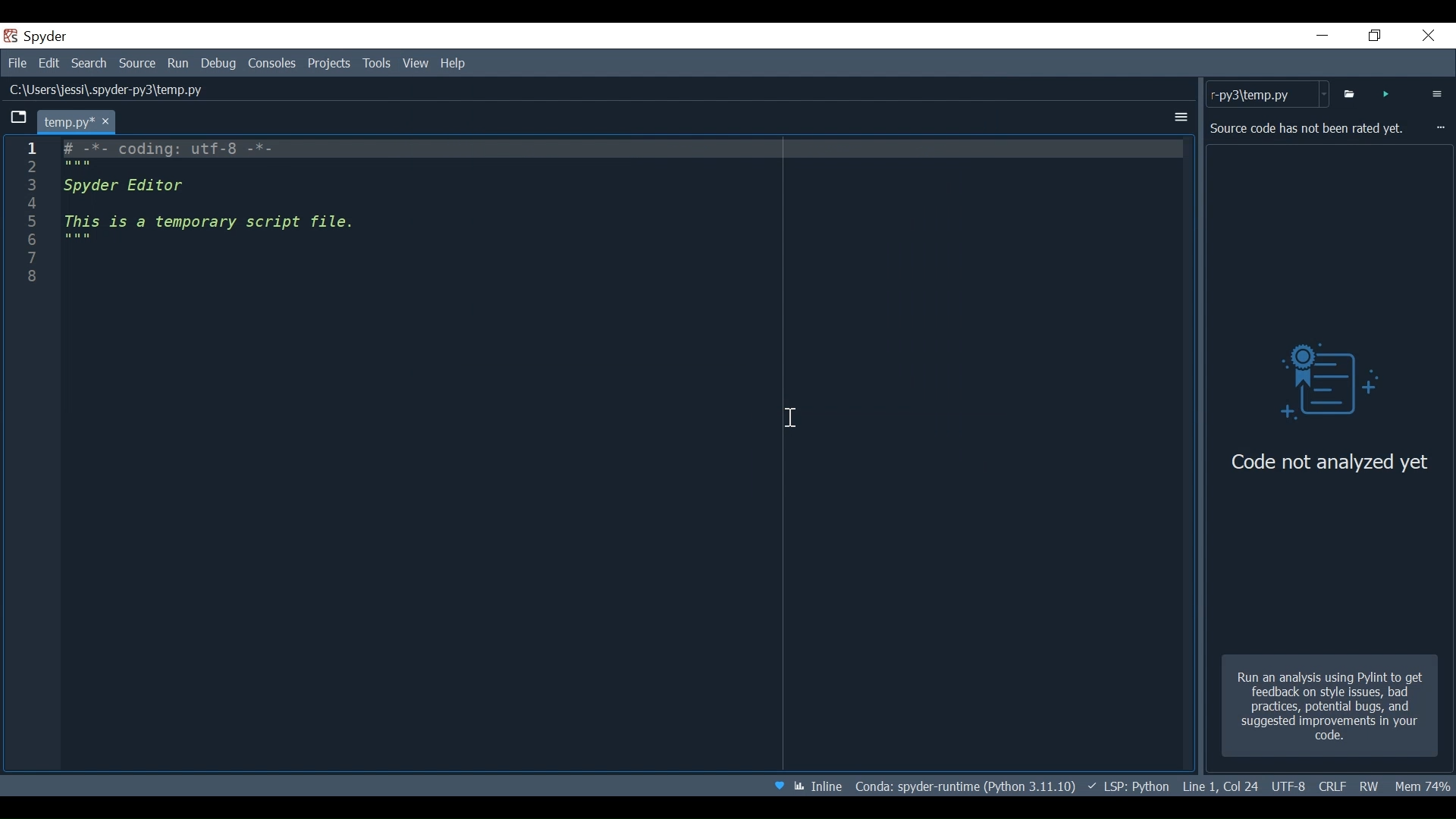  I want to click on Code not analyzed yet, so click(1326, 463).